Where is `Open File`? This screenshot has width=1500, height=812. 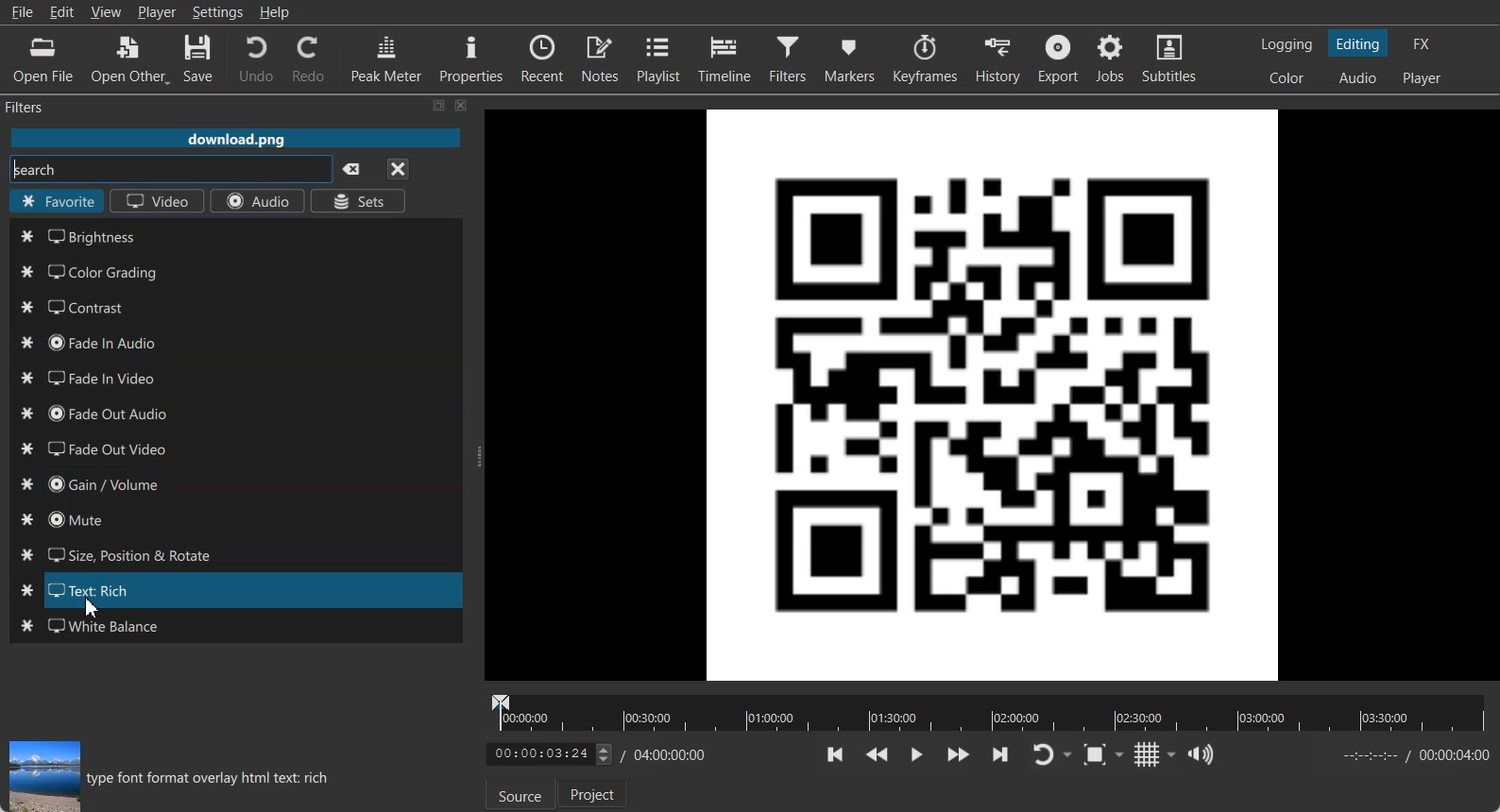 Open File is located at coordinates (43, 60).